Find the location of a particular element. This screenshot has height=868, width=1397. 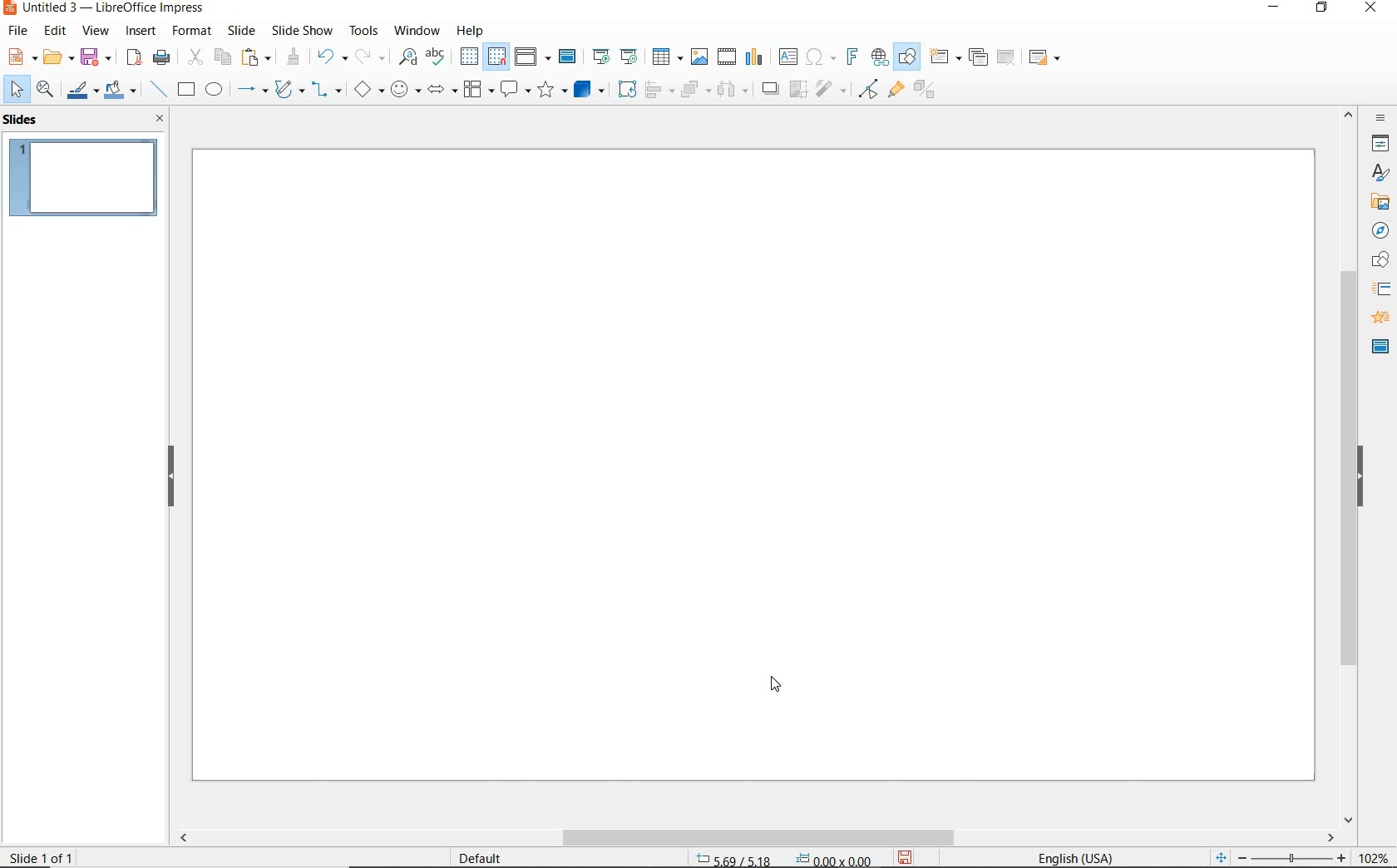

ALIGN OBJECTS is located at coordinates (655, 90).